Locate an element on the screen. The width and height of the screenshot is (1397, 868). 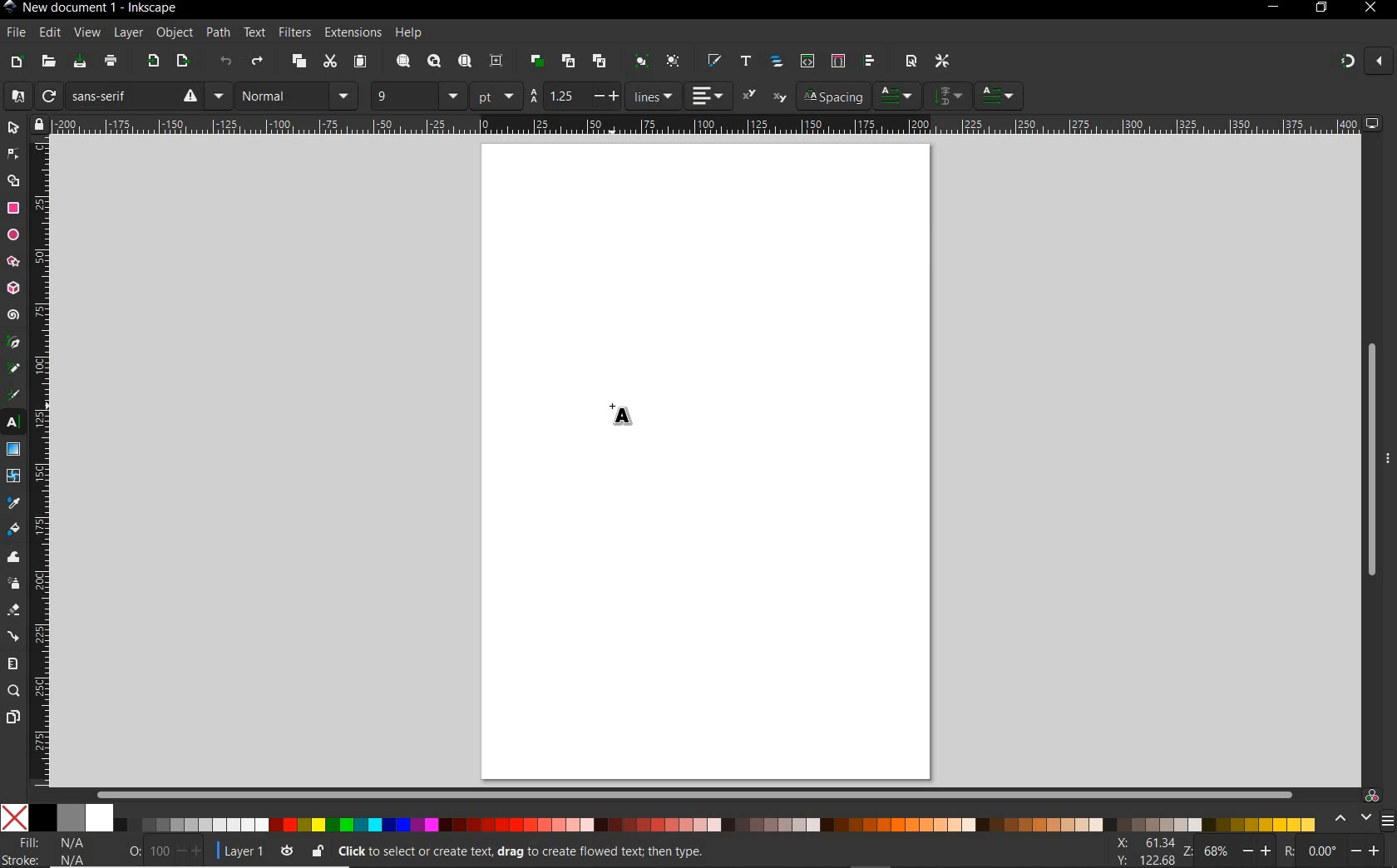
color modes is located at coordinates (658, 817).